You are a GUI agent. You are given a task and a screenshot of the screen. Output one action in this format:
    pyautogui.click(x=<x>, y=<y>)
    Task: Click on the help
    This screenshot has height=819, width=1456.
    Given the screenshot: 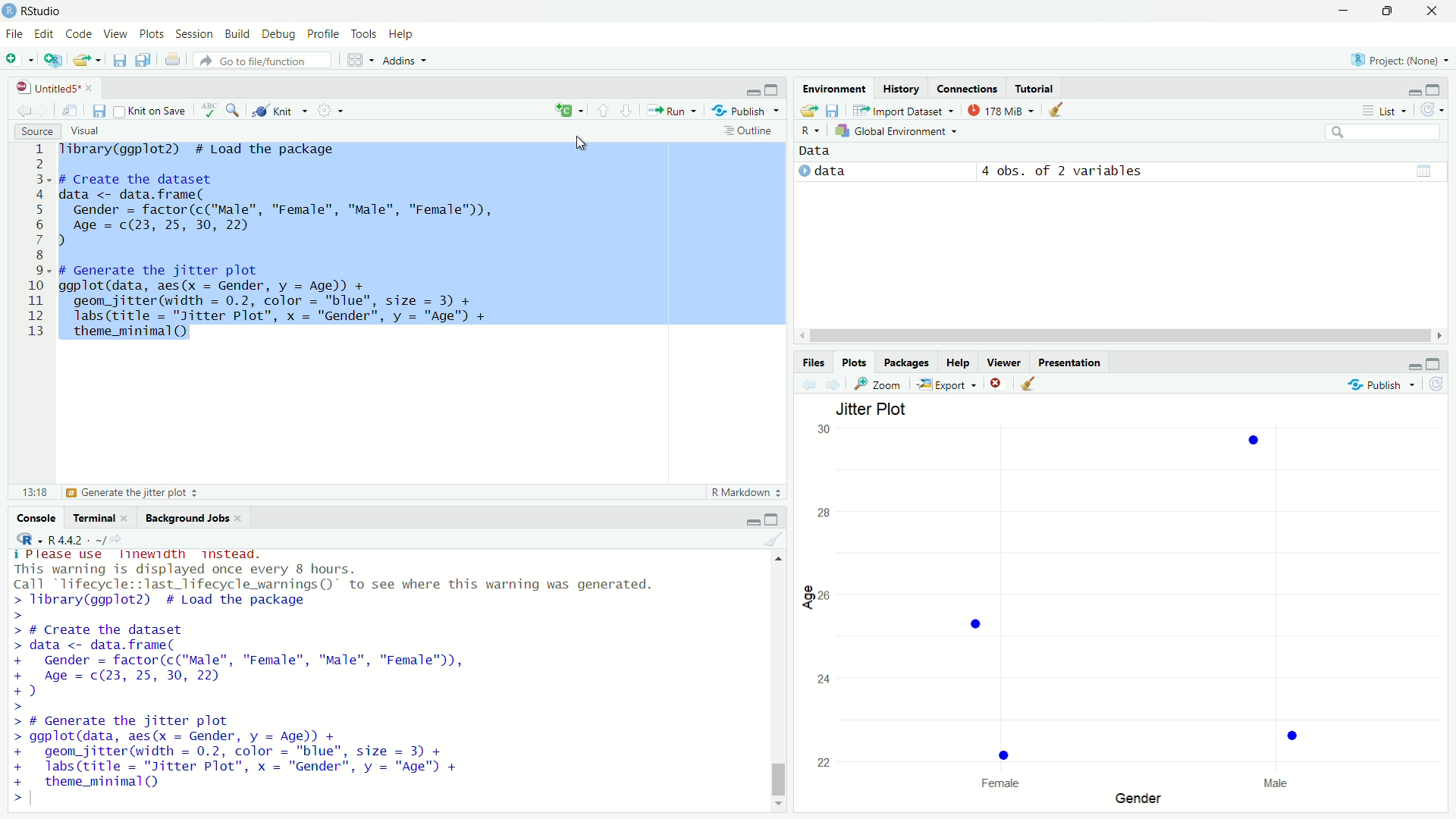 What is the action you would take?
    pyautogui.click(x=959, y=364)
    